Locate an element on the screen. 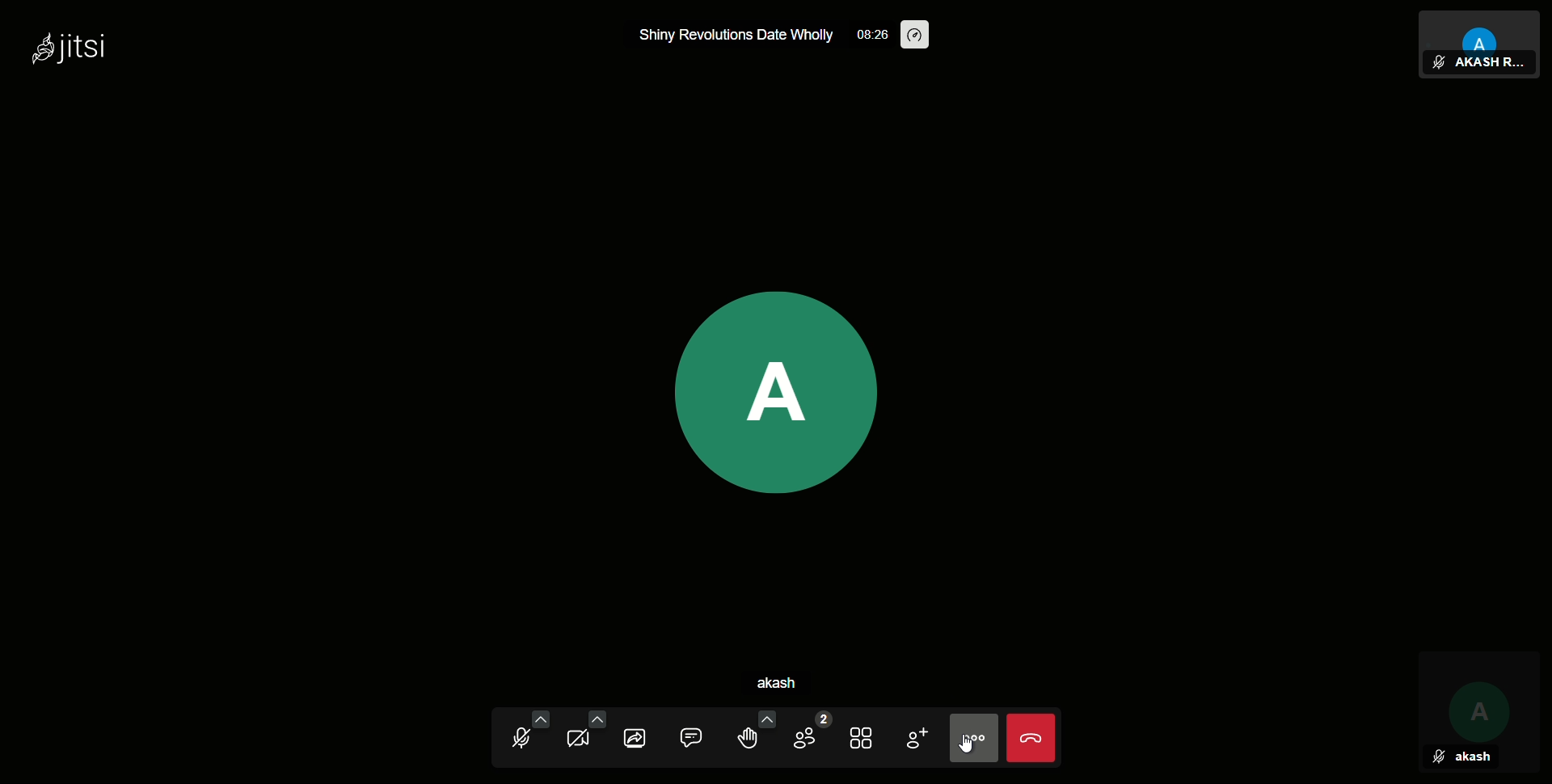 This screenshot has width=1552, height=784. iNITIAL is located at coordinates (1478, 698).